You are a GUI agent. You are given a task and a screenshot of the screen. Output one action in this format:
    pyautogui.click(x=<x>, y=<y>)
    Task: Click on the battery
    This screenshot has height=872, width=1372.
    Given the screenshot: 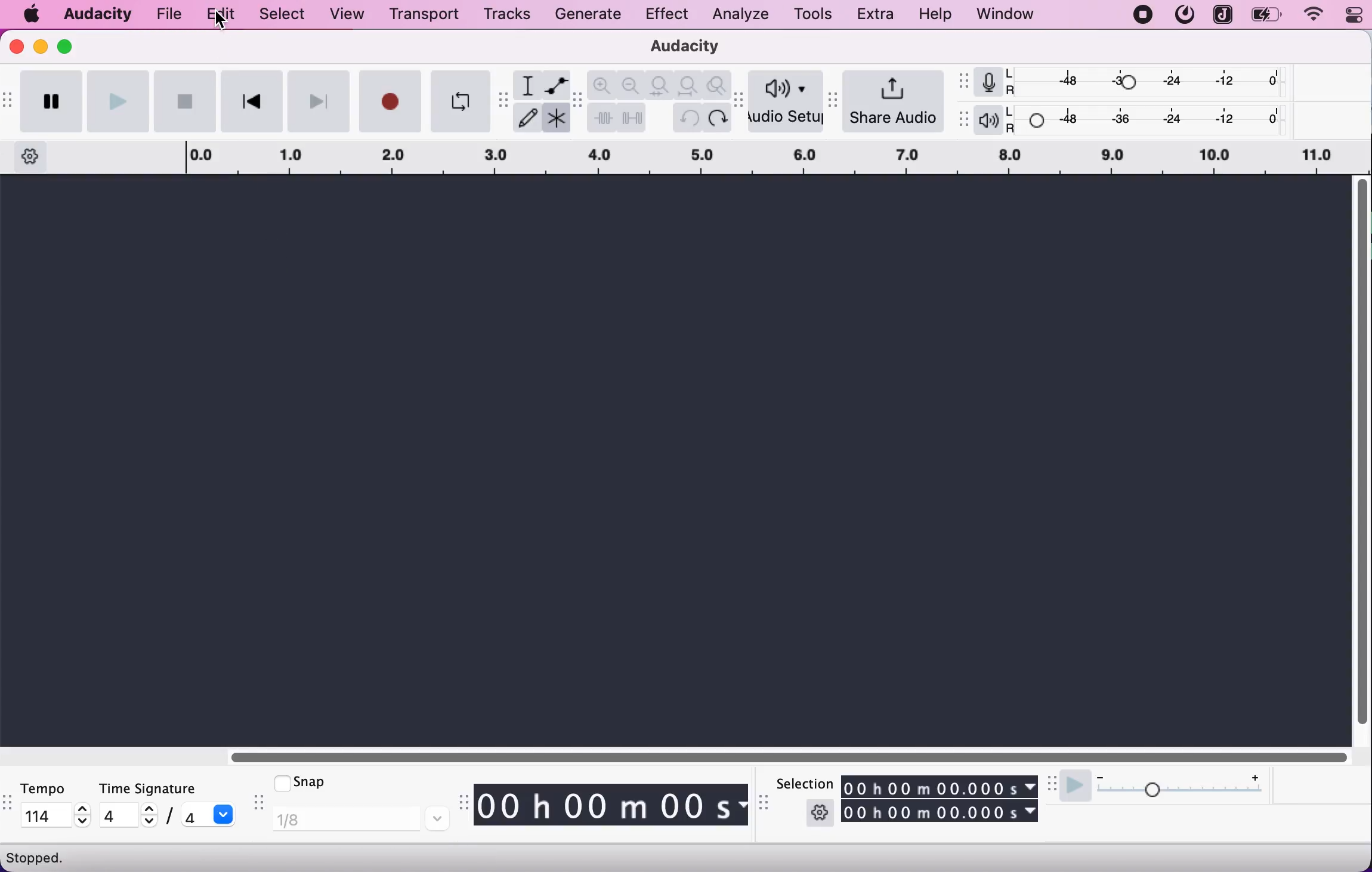 What is the action you would take?
    pyautogui.click(x=1268, y=15)
    